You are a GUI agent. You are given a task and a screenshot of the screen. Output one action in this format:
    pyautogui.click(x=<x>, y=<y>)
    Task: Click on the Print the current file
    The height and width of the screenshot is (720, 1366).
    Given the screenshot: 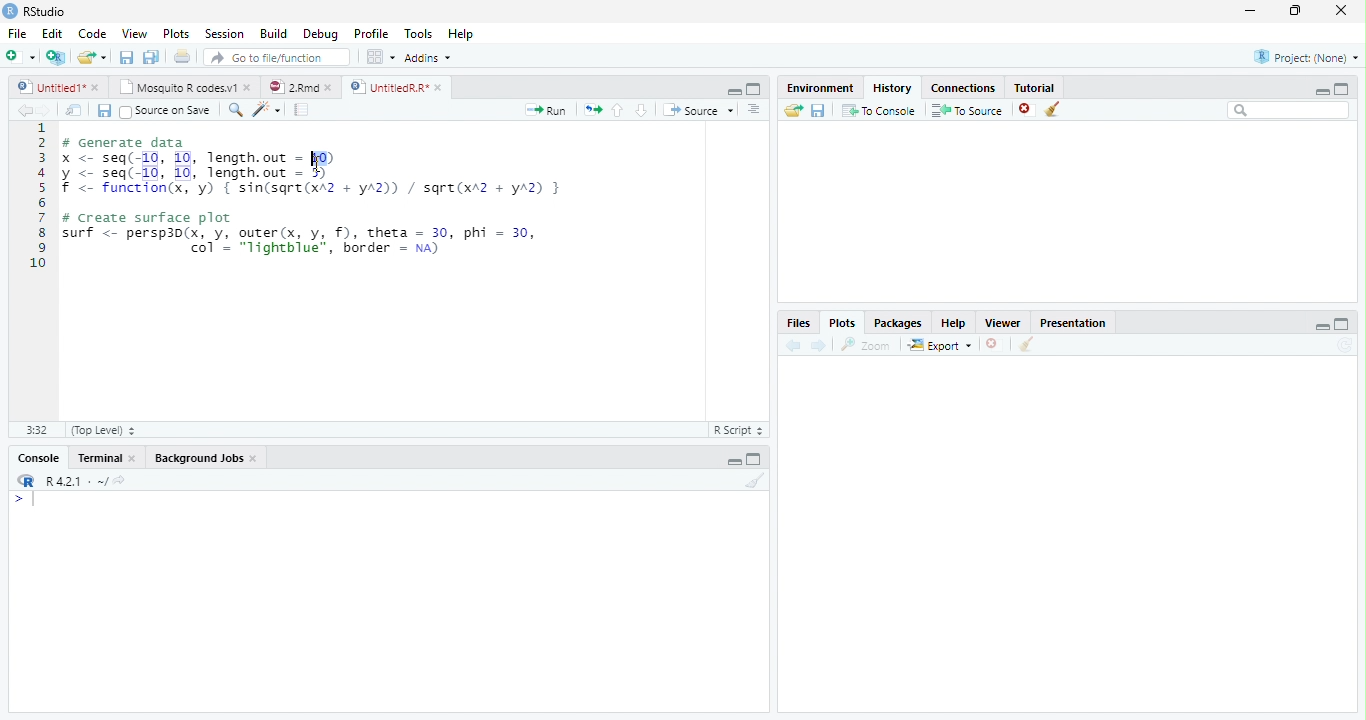 What is the action you would take?
    pyautogui.click(x=182, y=55)
    